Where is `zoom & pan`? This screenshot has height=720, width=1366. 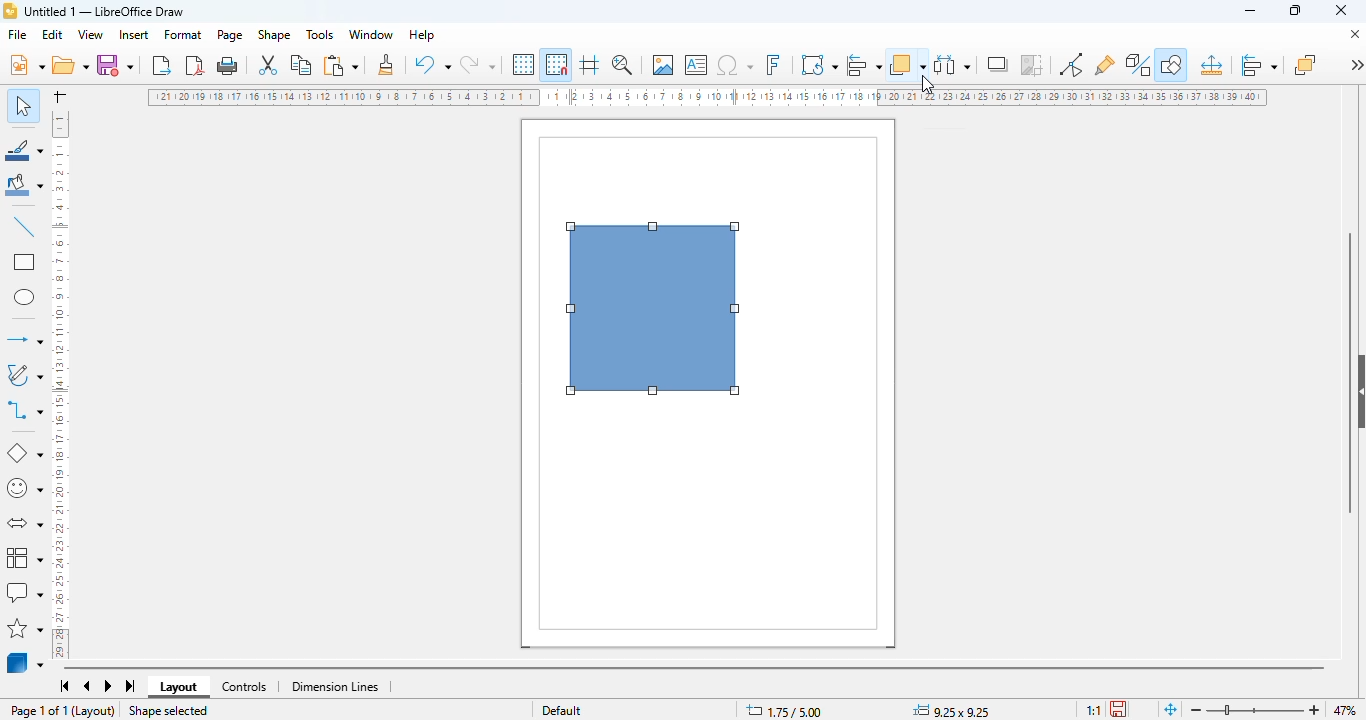 zoom & pan is located at coordinates (622, 64).